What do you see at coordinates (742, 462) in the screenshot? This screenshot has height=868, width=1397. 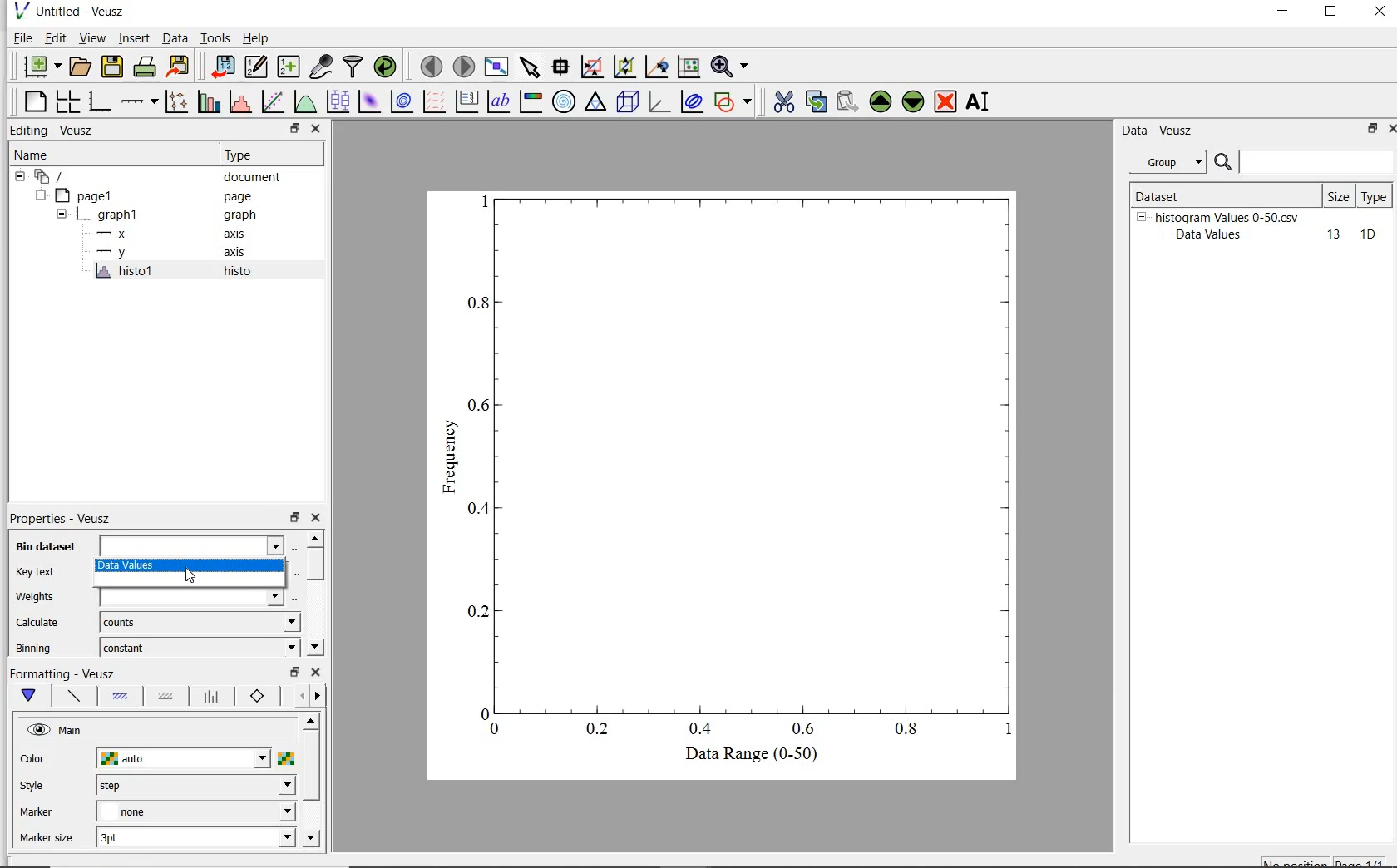 I see `Graph` at bounding box center [742, 462].